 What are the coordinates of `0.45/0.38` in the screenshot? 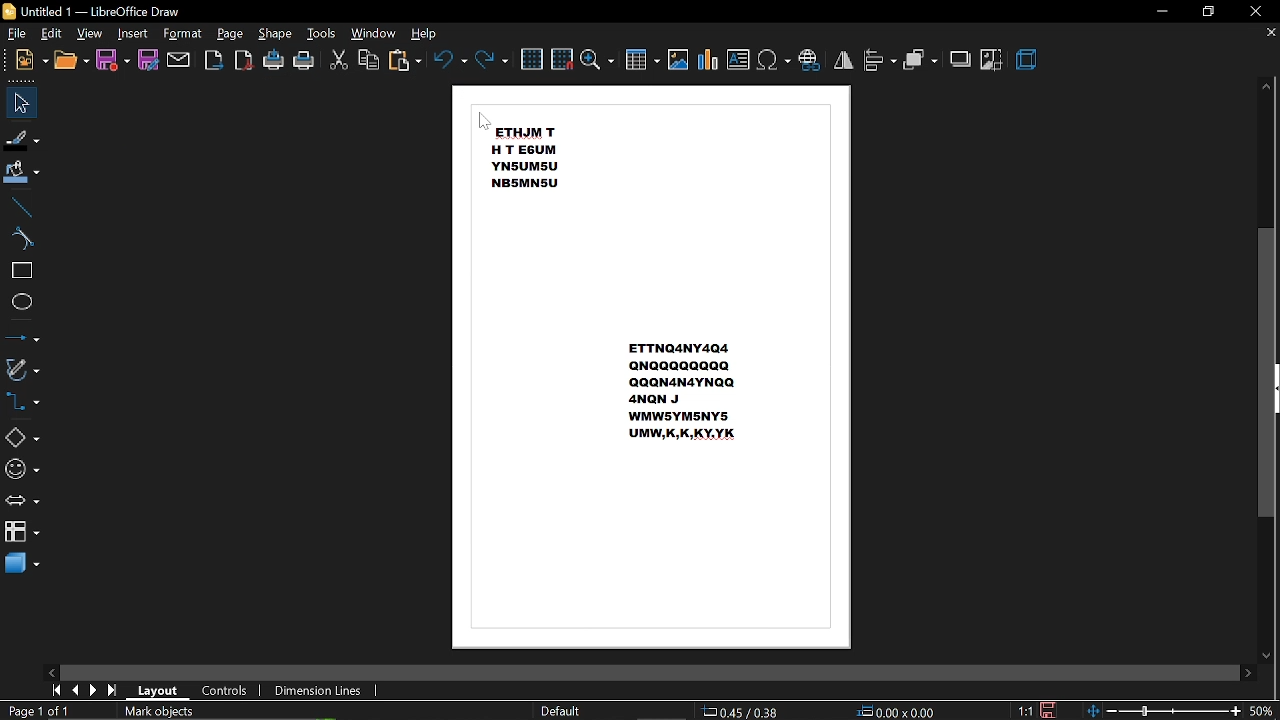 It's located at (743, 708).